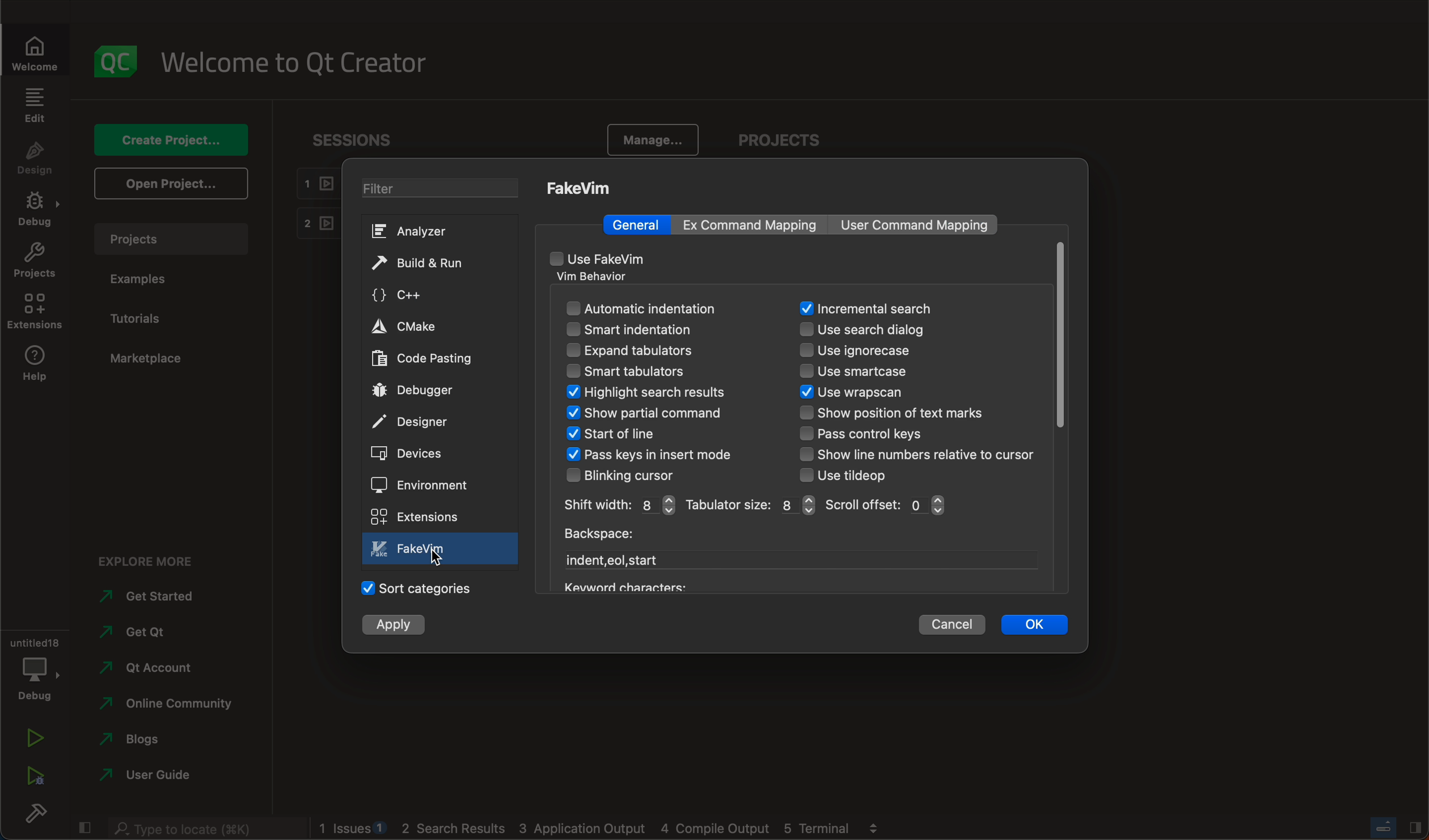 The image size is (1429, 840). I want to click on run debug, so click(32, 778).